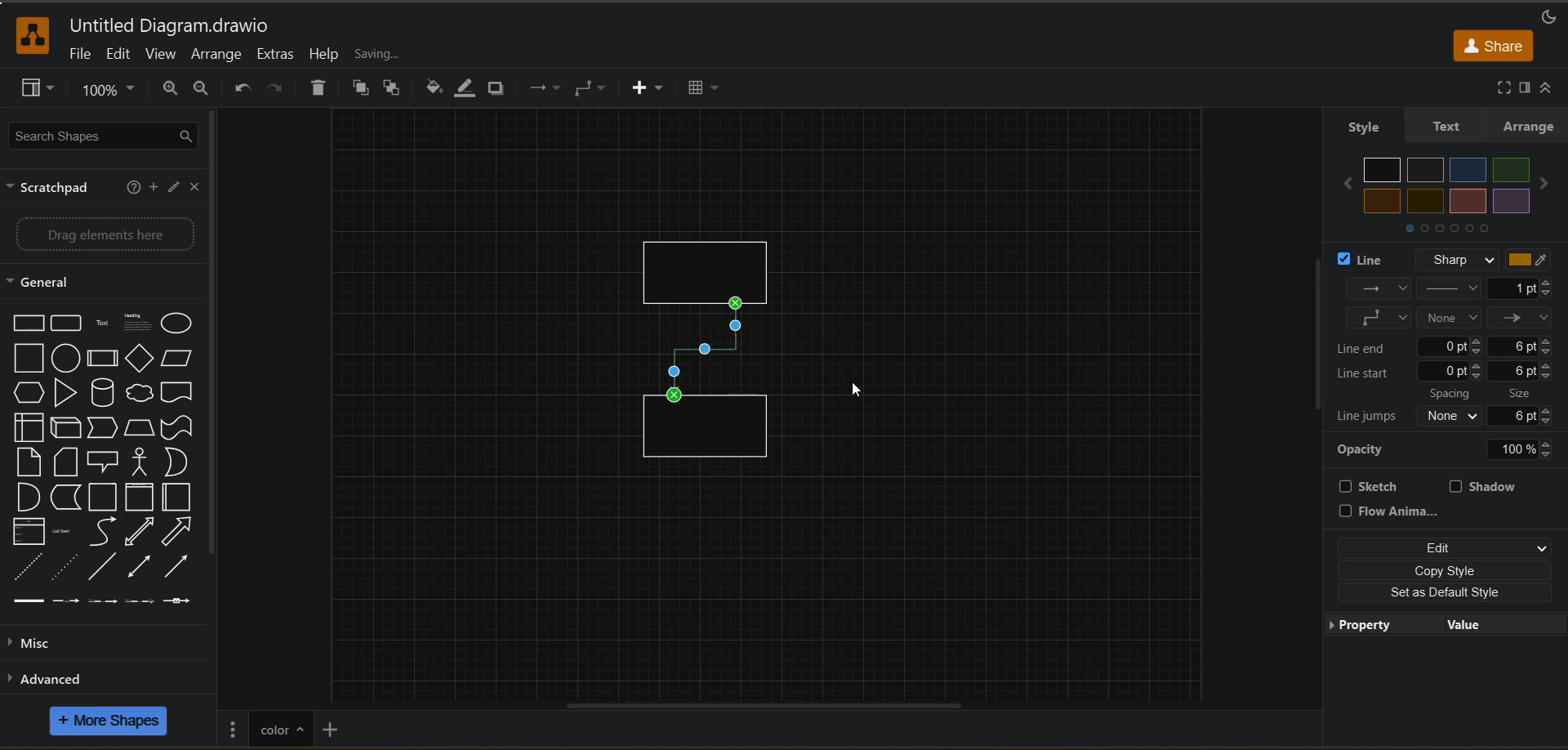  Describe the element at coordinates (29, 602) in the screenshot. I see `Link` at that location.